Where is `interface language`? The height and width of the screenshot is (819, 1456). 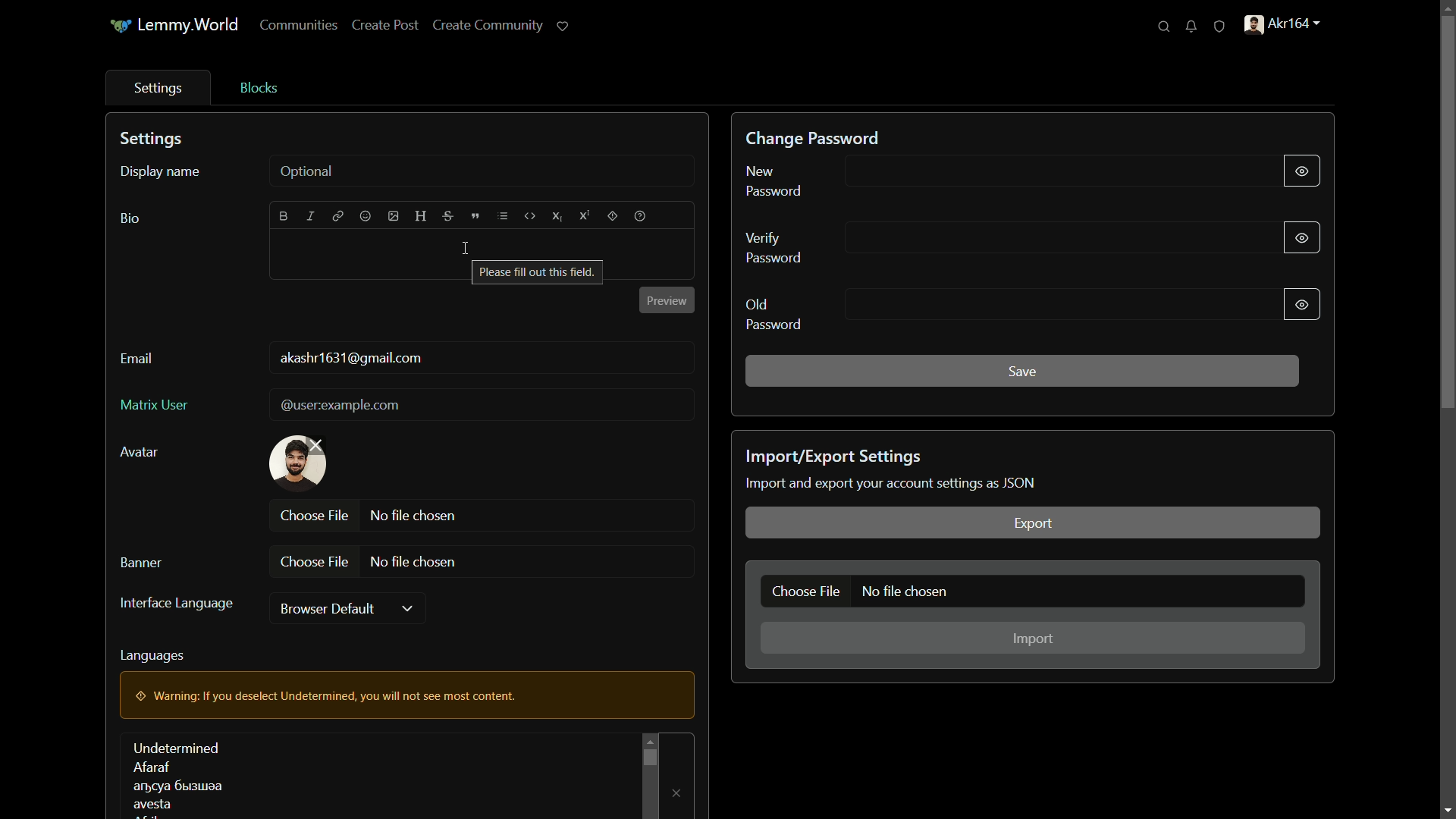
interface language is located at coordinates (178, 604).